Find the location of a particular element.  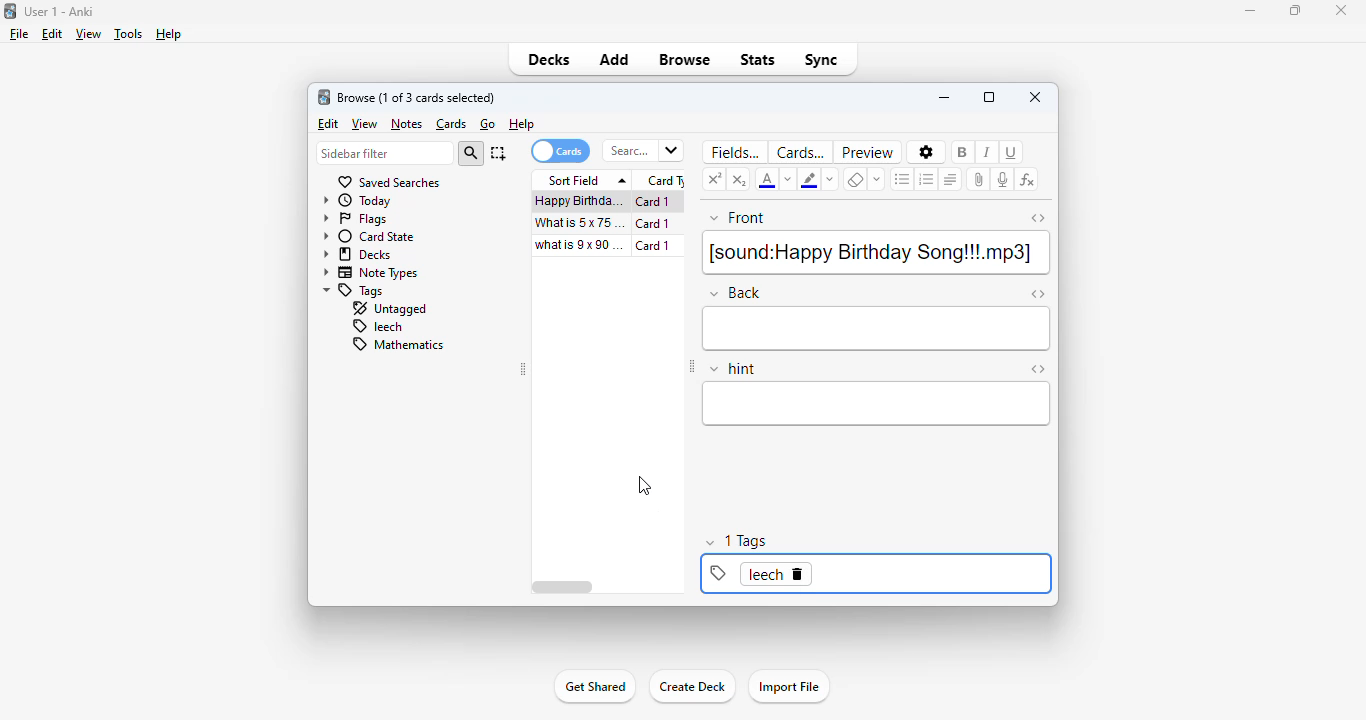

User 1 - Anki is located at coordinates (61, 12).